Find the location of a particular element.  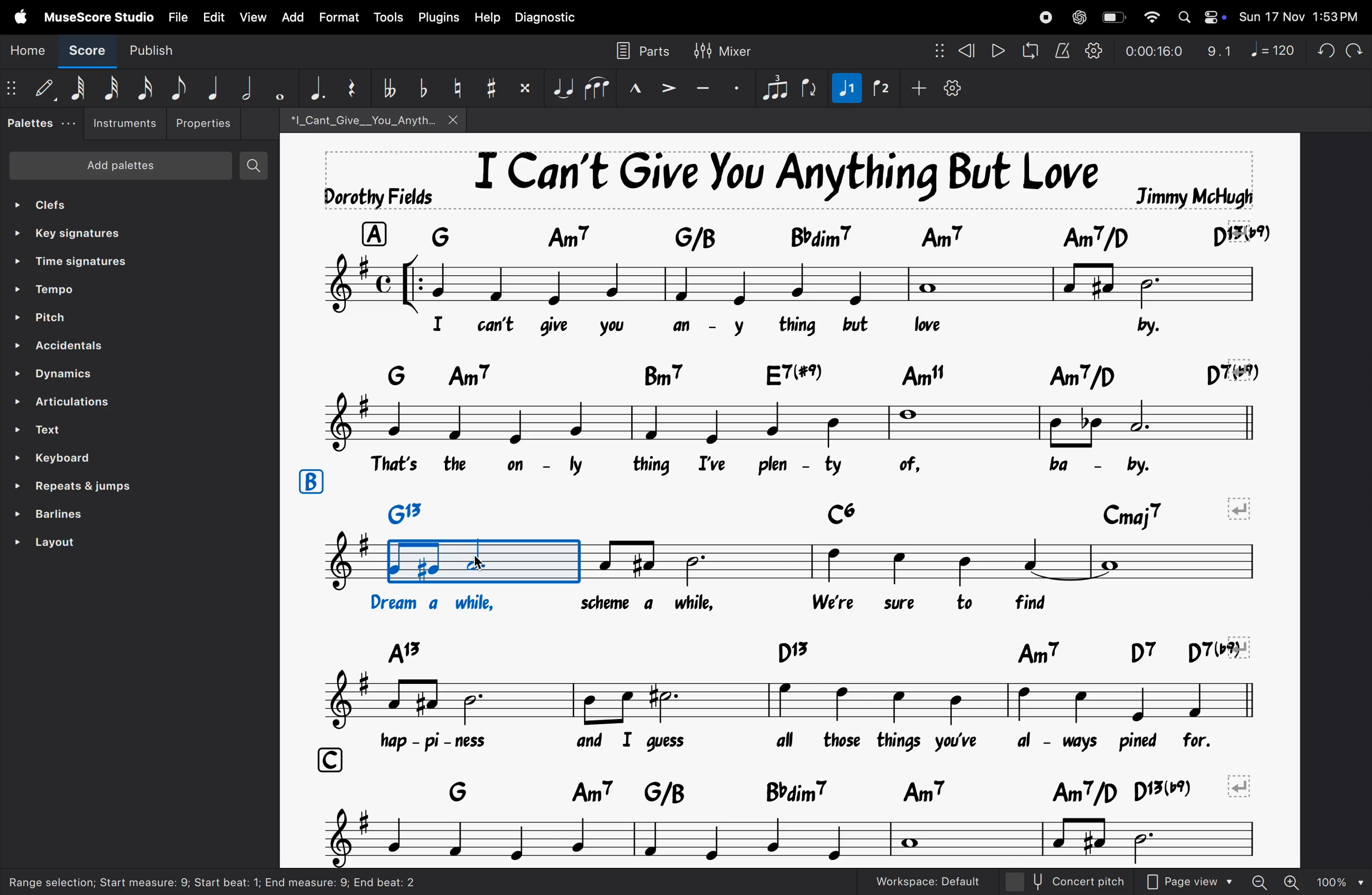

record is located at coordinates (1041, 18).